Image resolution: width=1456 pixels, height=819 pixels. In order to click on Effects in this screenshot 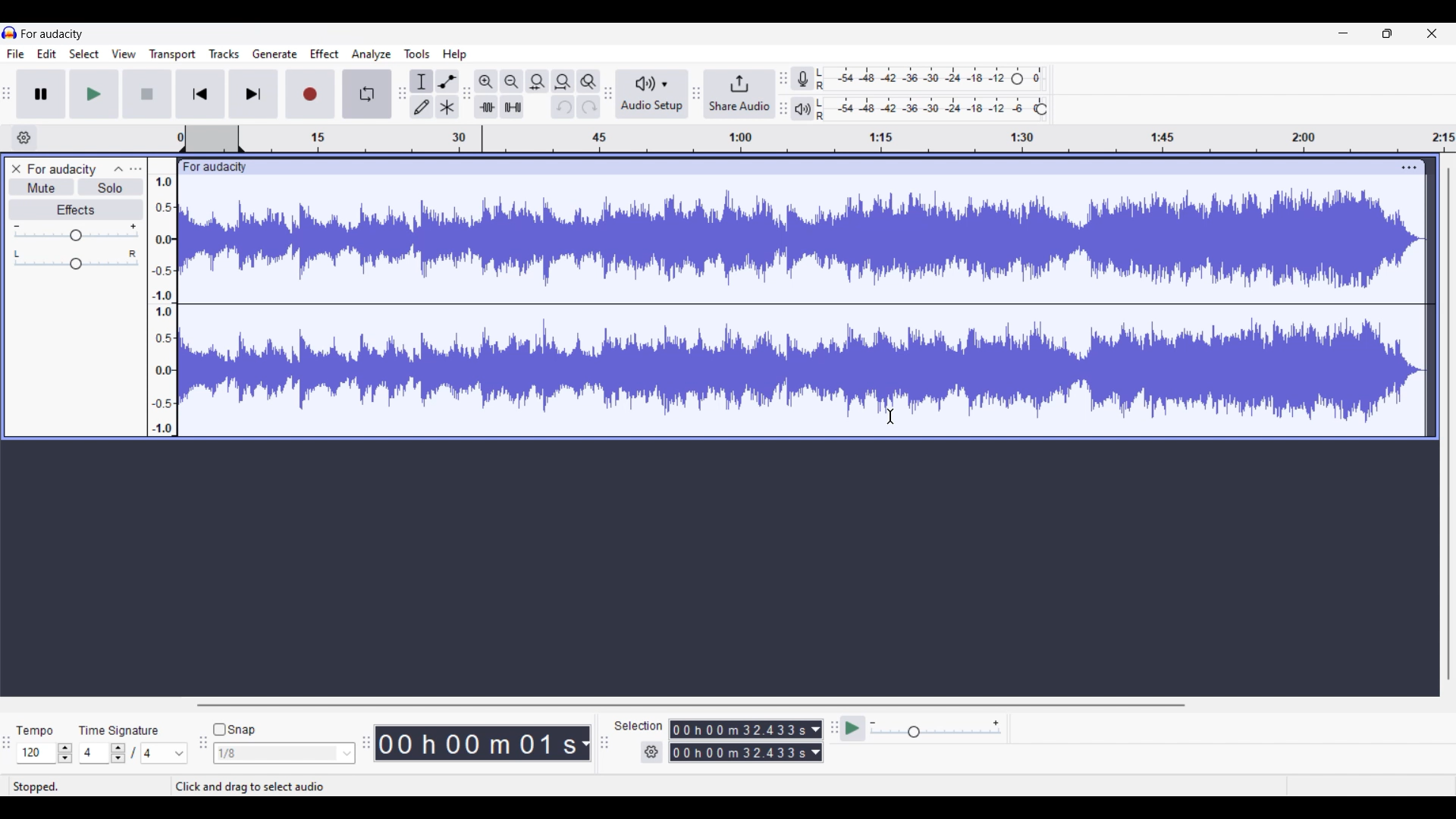, I will do `click(77, 209)`.